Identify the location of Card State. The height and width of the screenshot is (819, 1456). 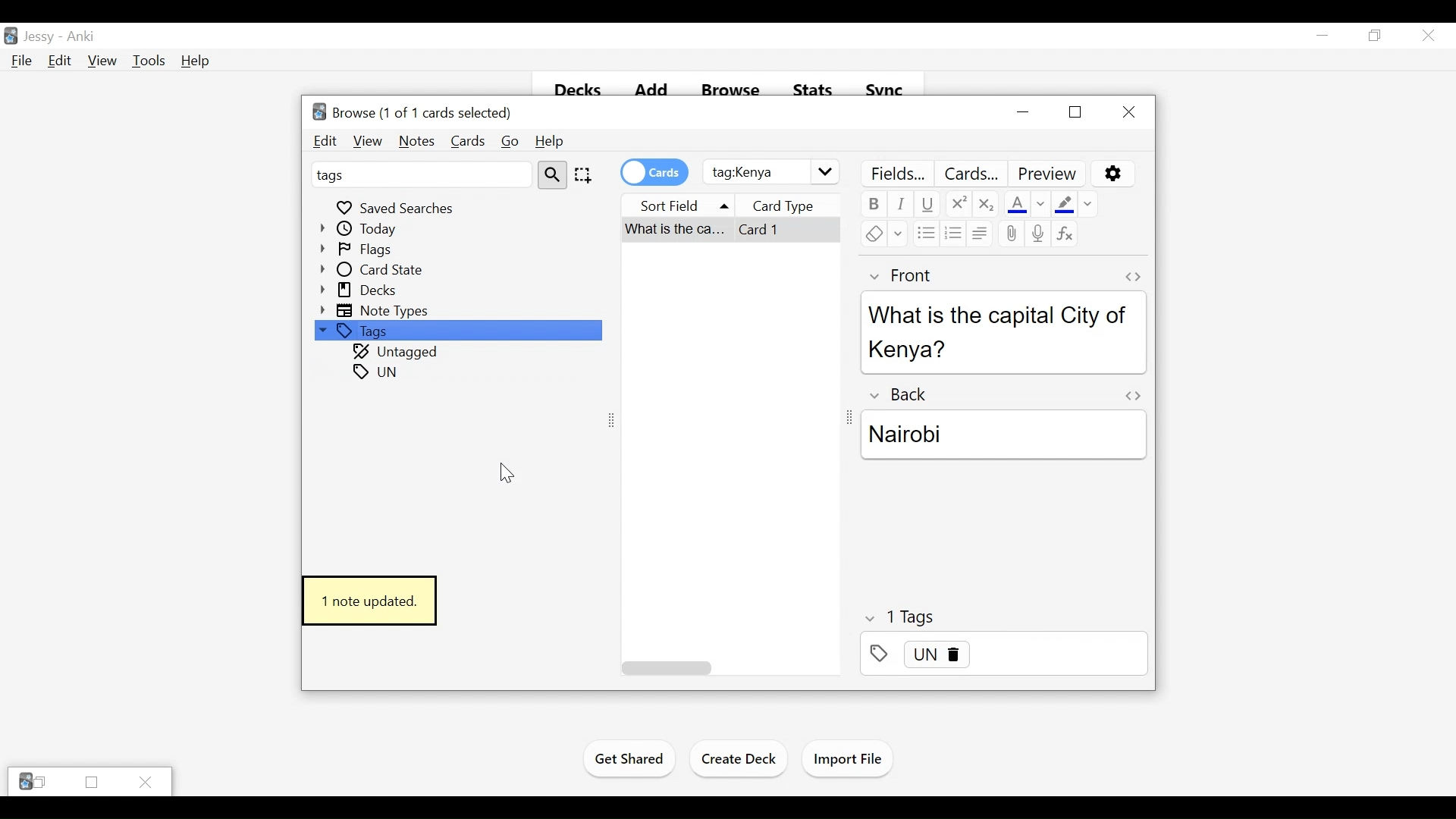
(376, 270).